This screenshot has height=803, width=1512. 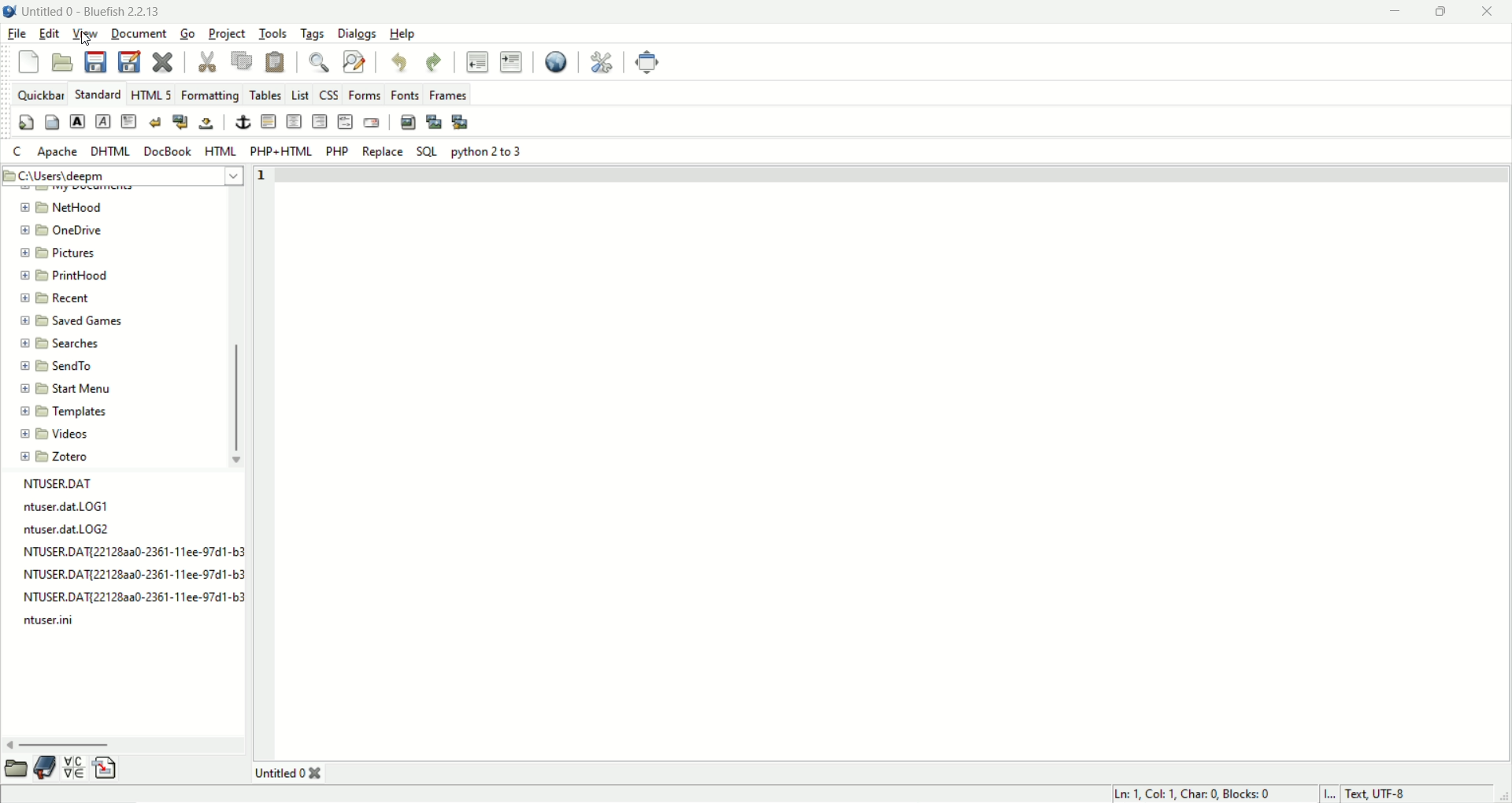 What do you see at coordinates (63, 61) in the screenshot?
I see `open file` at bounding box center [63, 61].